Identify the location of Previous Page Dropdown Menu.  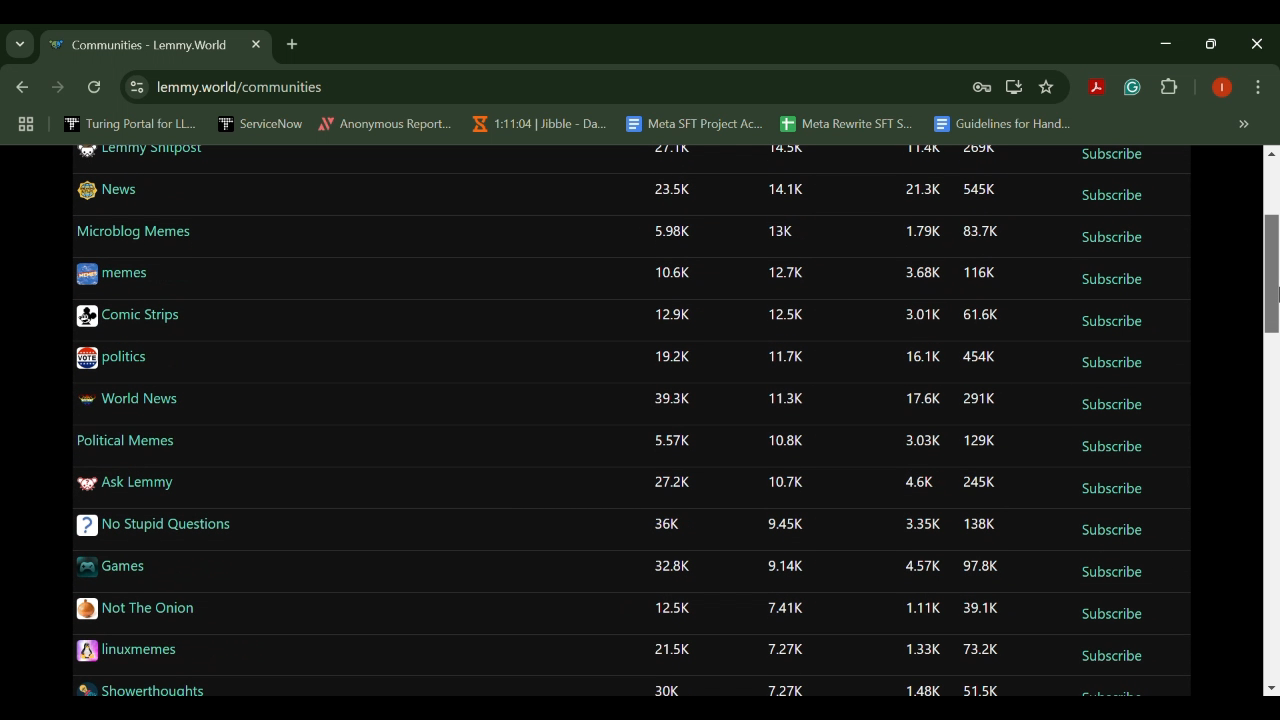
(20, 45).